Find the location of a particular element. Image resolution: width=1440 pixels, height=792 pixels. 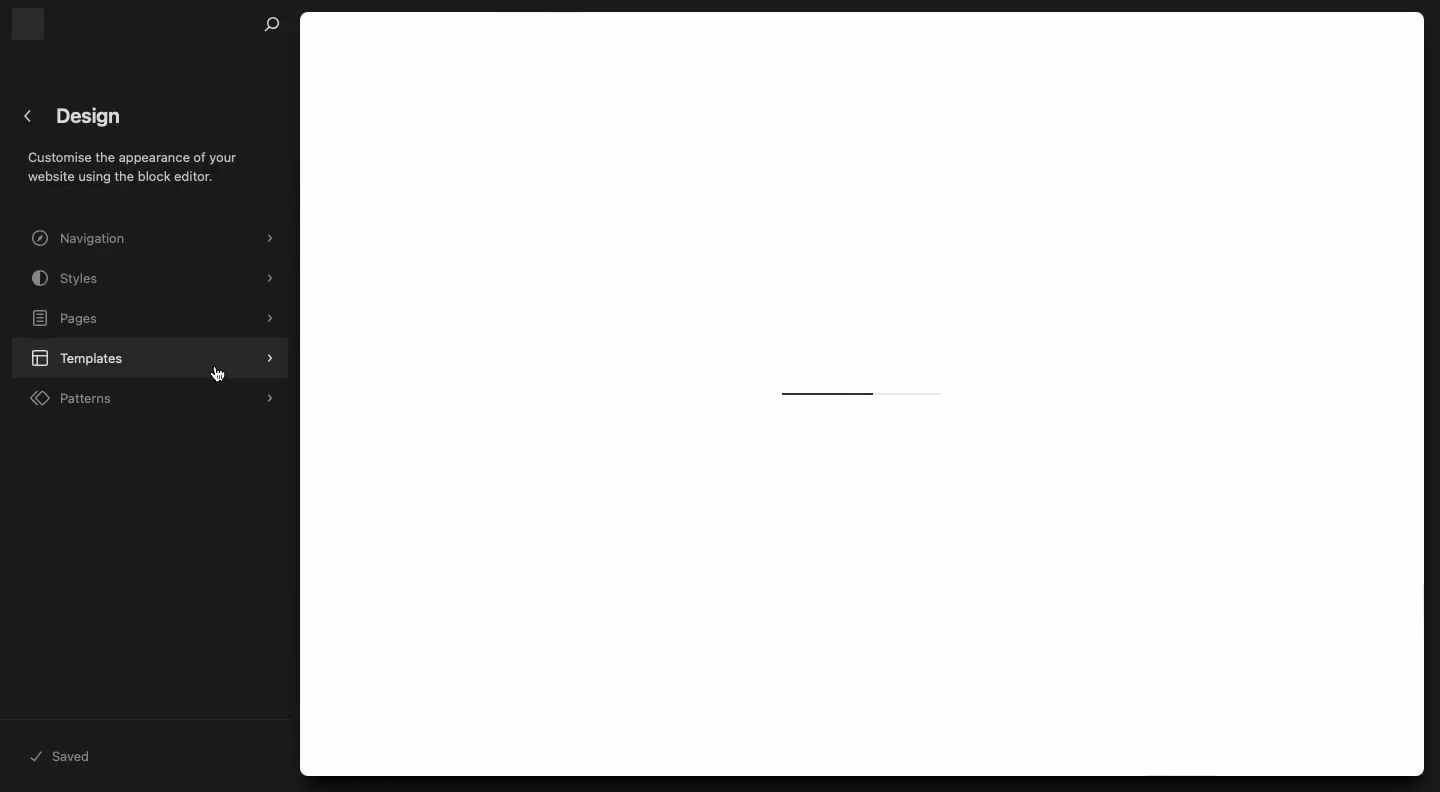

Design is located at coordinates (138, 113).